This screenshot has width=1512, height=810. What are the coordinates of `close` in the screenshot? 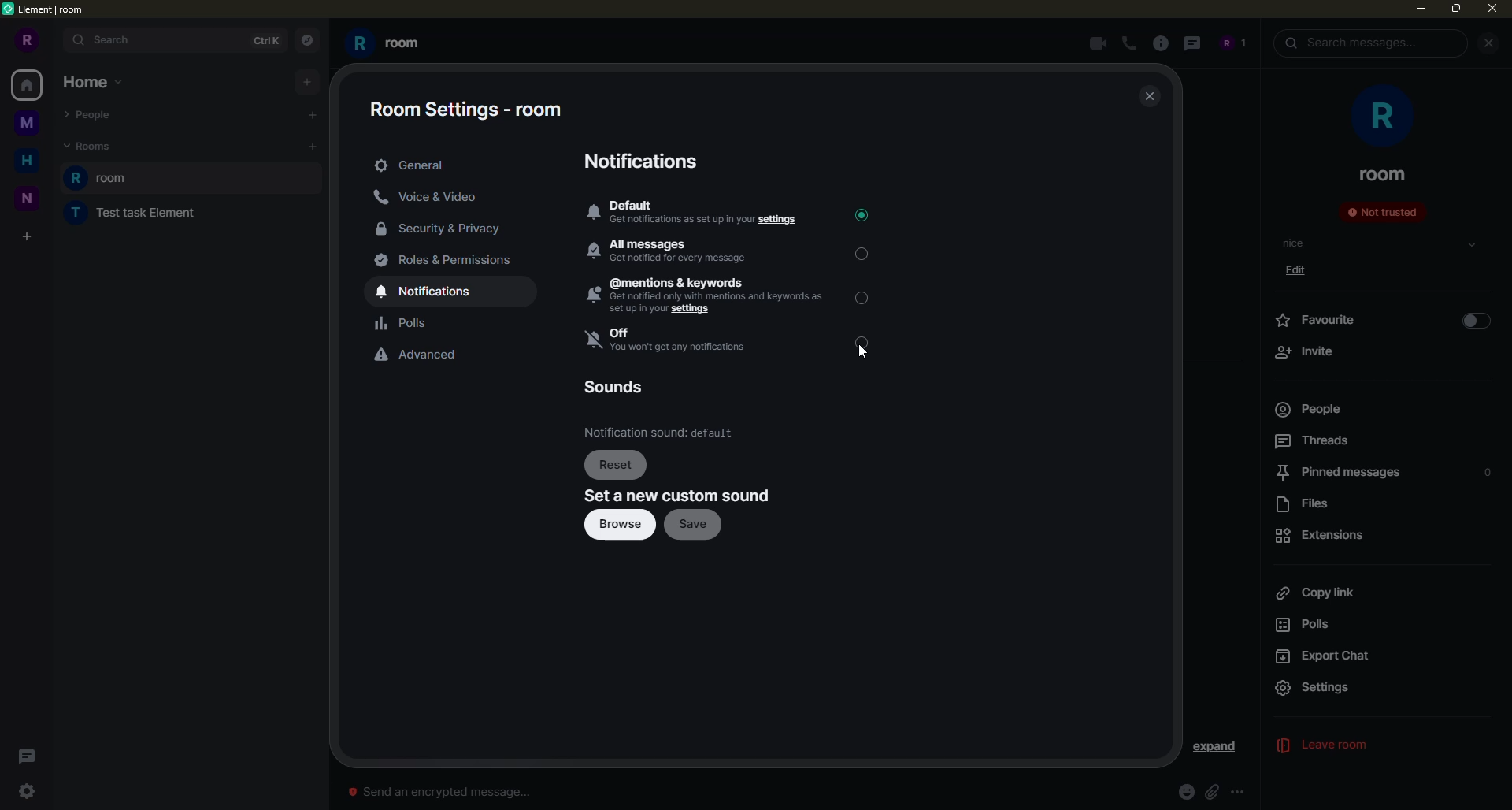 It's located at (1151, 98).